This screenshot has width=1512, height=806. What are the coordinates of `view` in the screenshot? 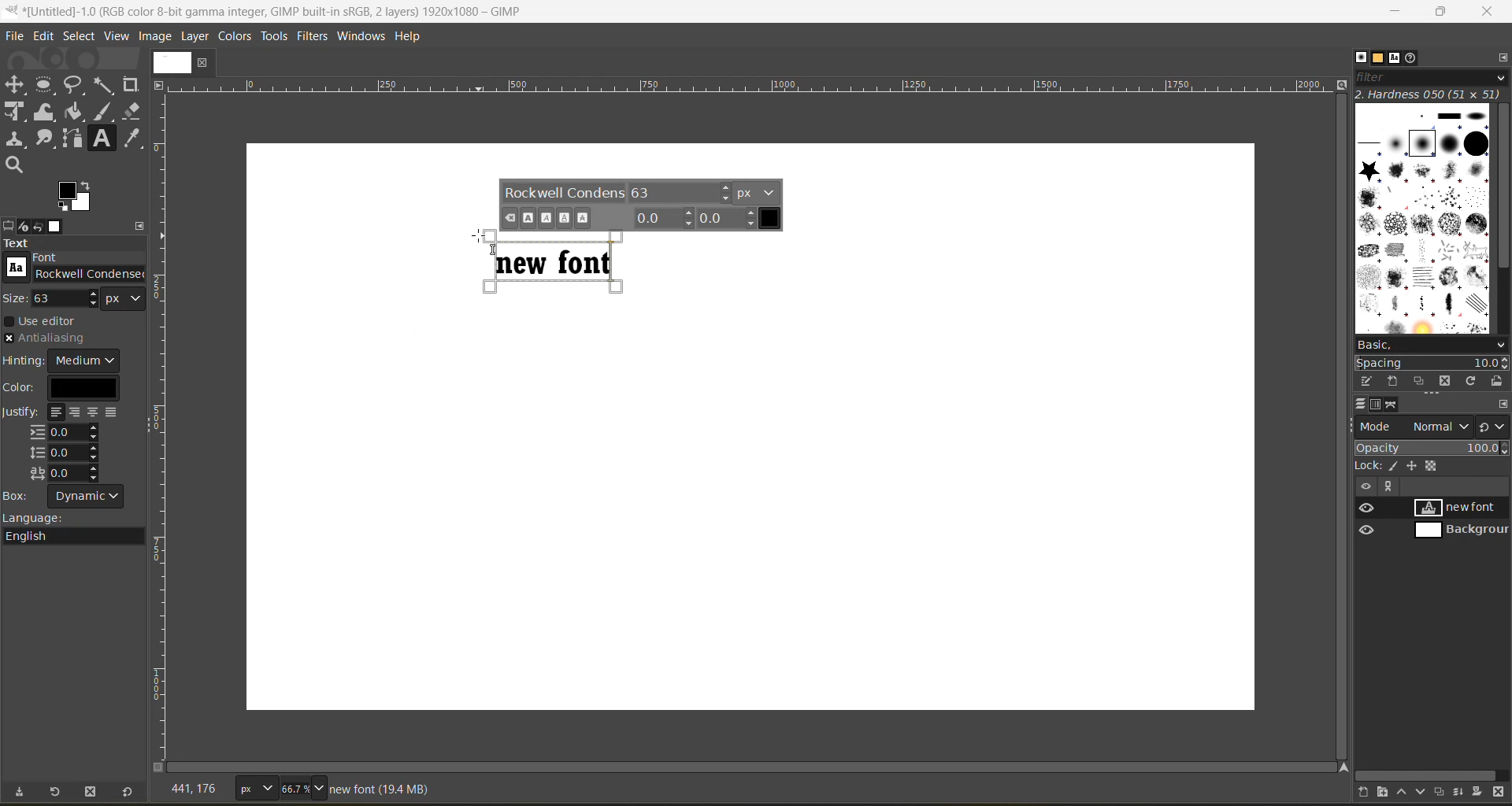 It's located at (117, 35).